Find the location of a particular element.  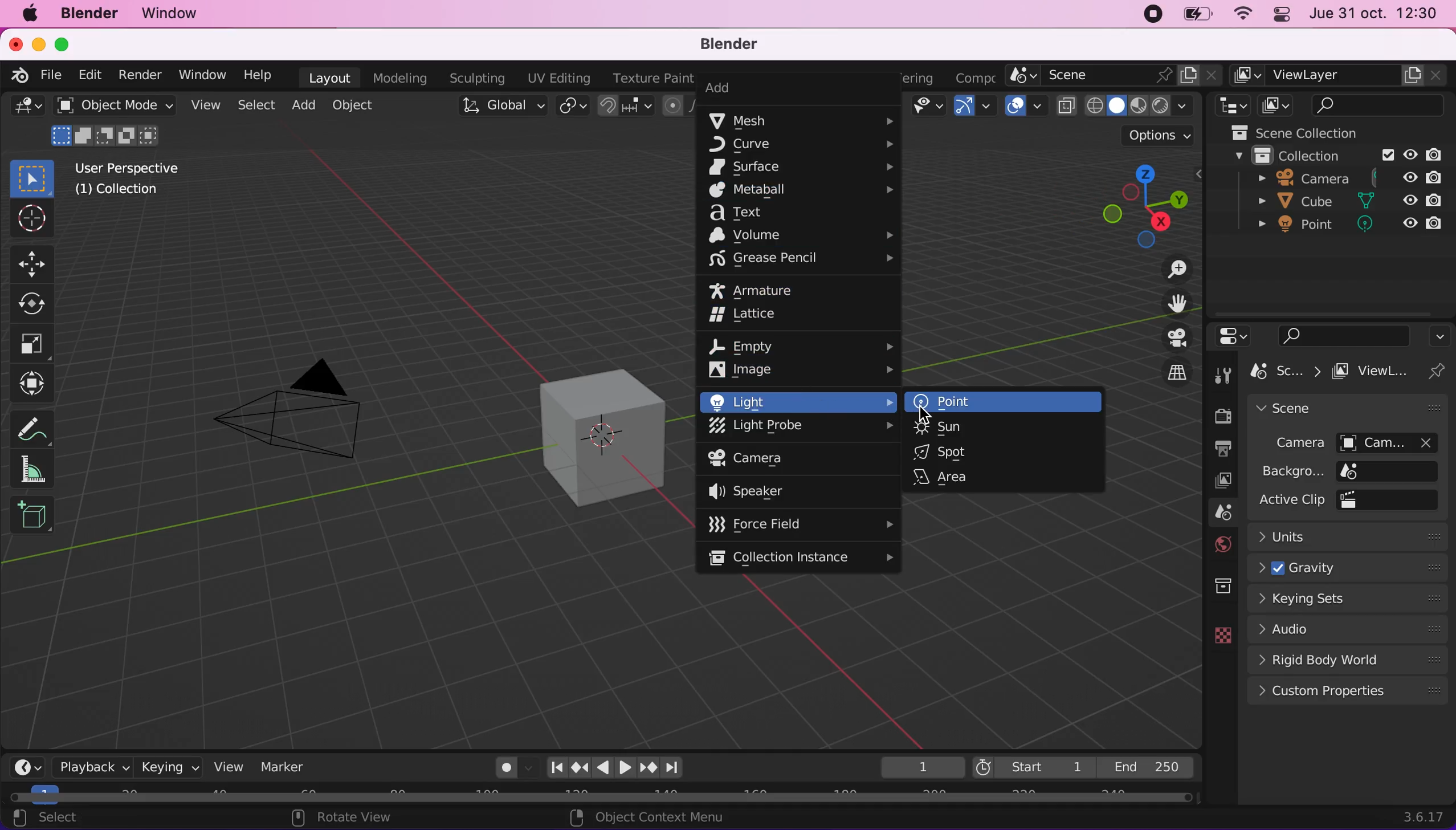

scene is located at coordinates (1340, 409).